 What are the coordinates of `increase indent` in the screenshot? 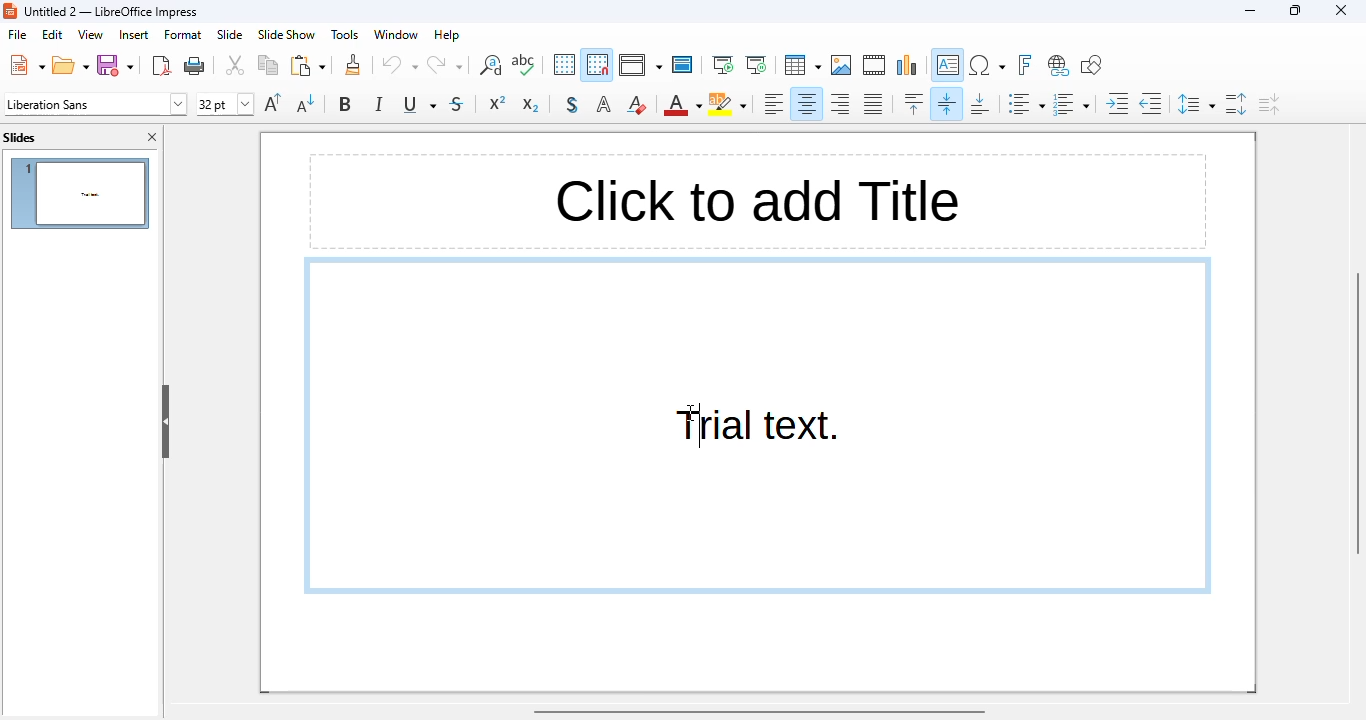 It's located at (1118, 104).